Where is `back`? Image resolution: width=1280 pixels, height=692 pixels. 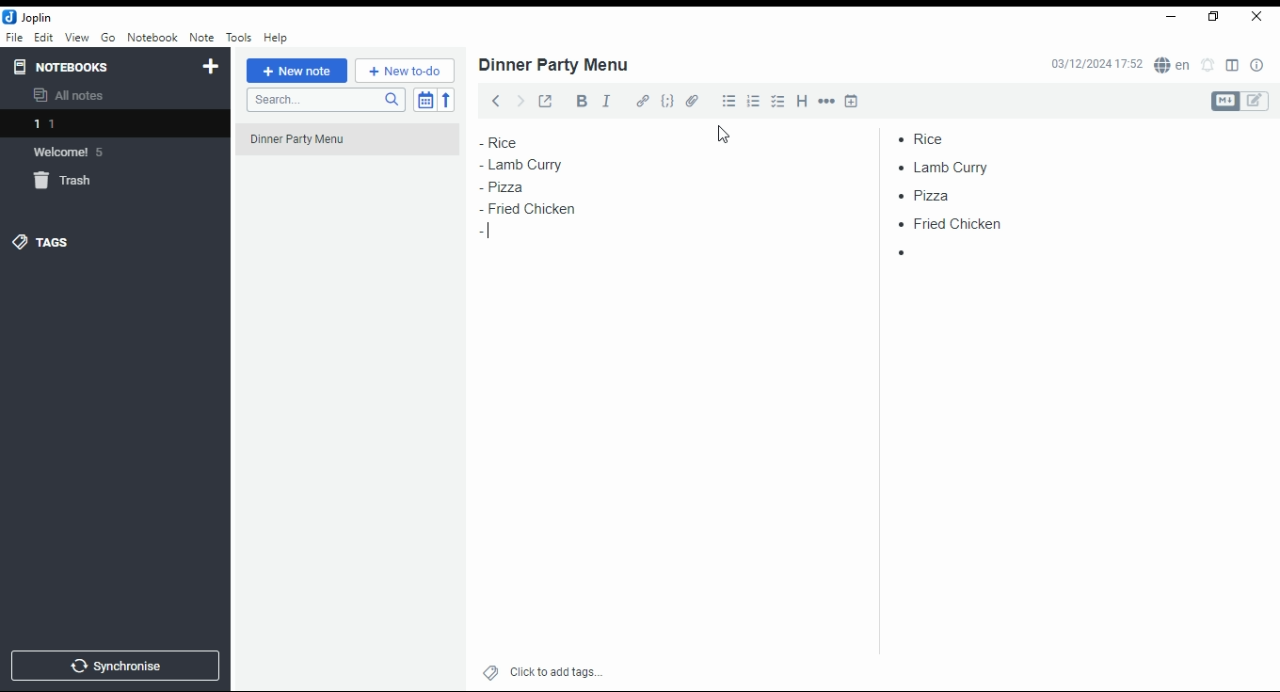
back is located at coordinates (492, 99).